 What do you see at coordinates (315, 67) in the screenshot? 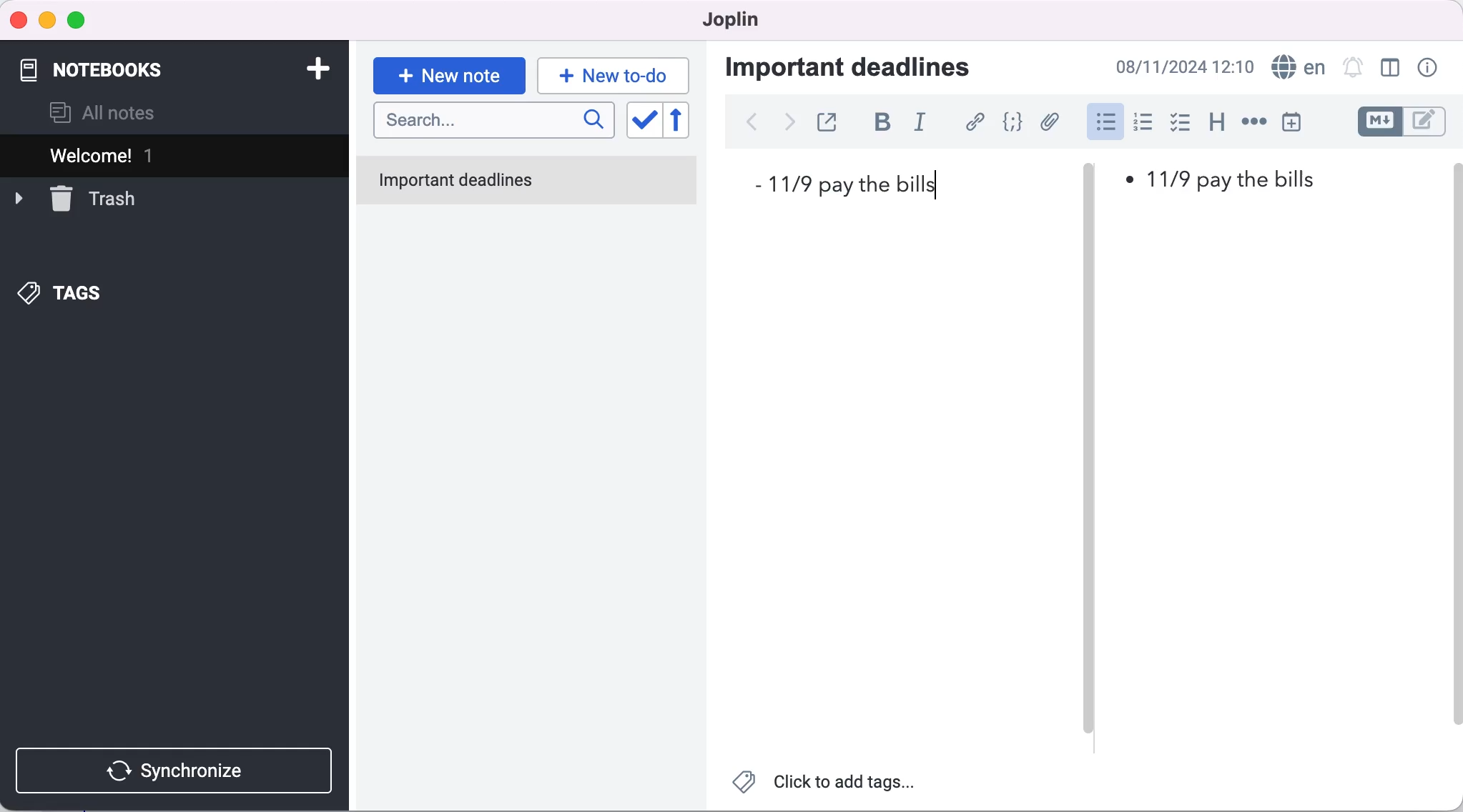
I see `add notebook` at bounding box center [315, 67].